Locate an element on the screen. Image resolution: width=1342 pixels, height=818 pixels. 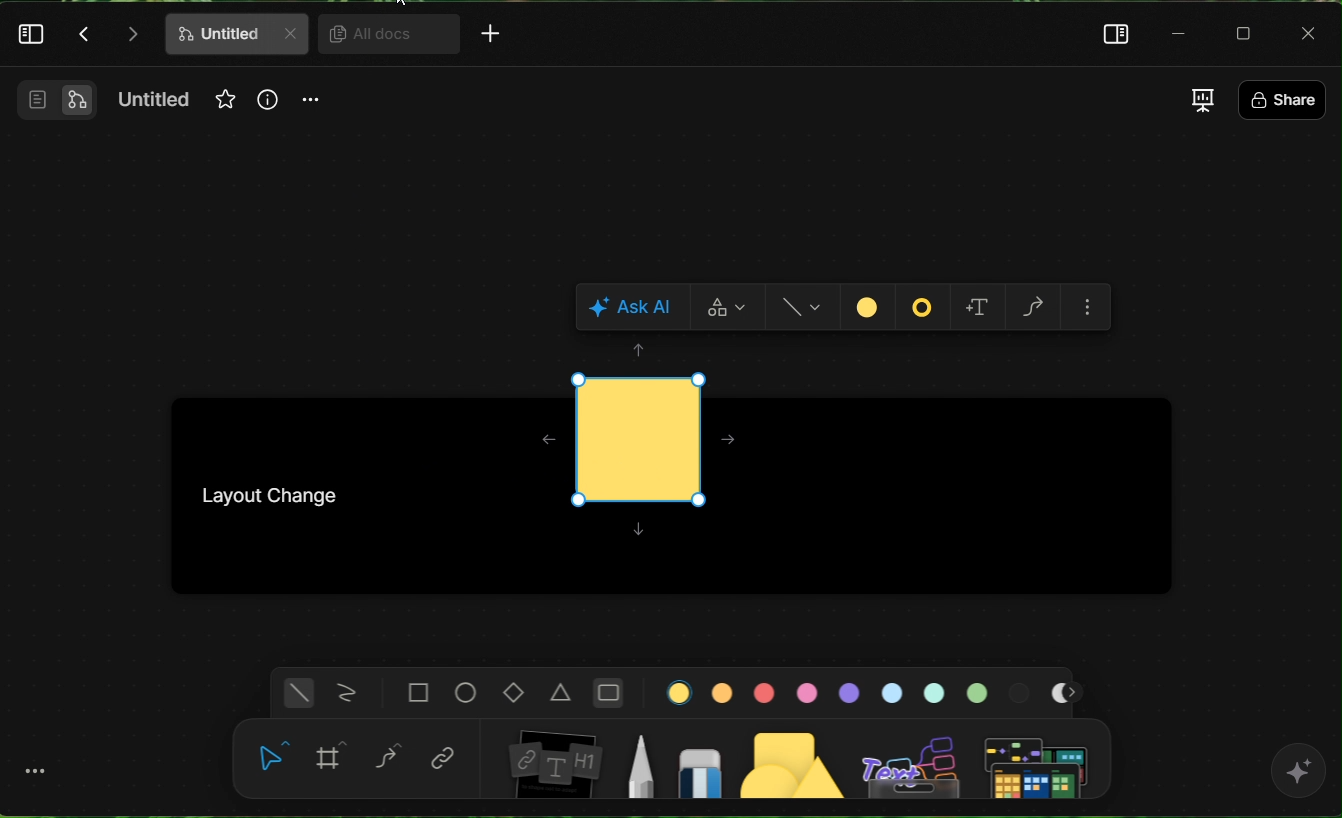
minimize is located at coordinates (1180, 33).